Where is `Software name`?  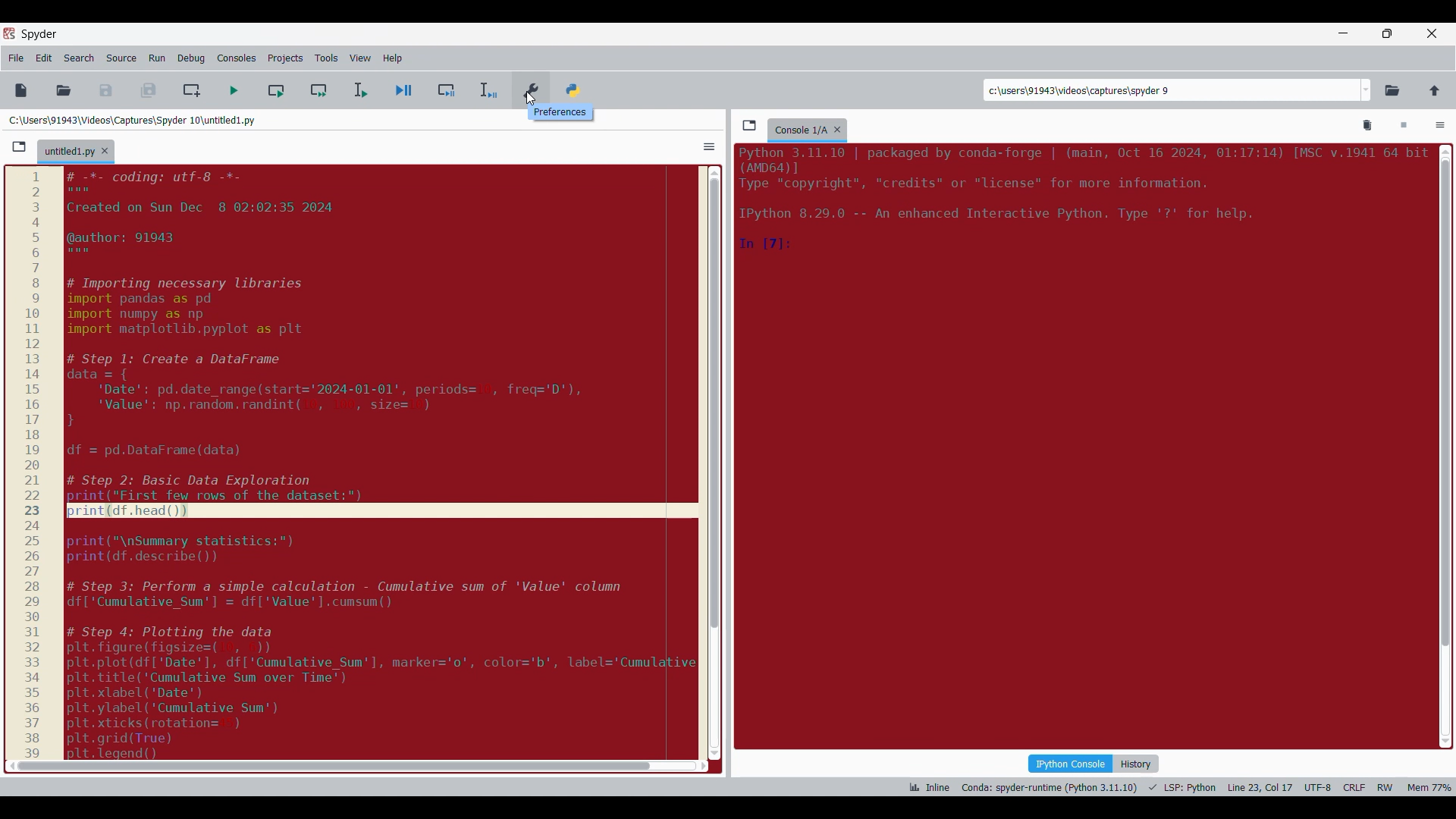 Software name is located at coordinates (39, 34).